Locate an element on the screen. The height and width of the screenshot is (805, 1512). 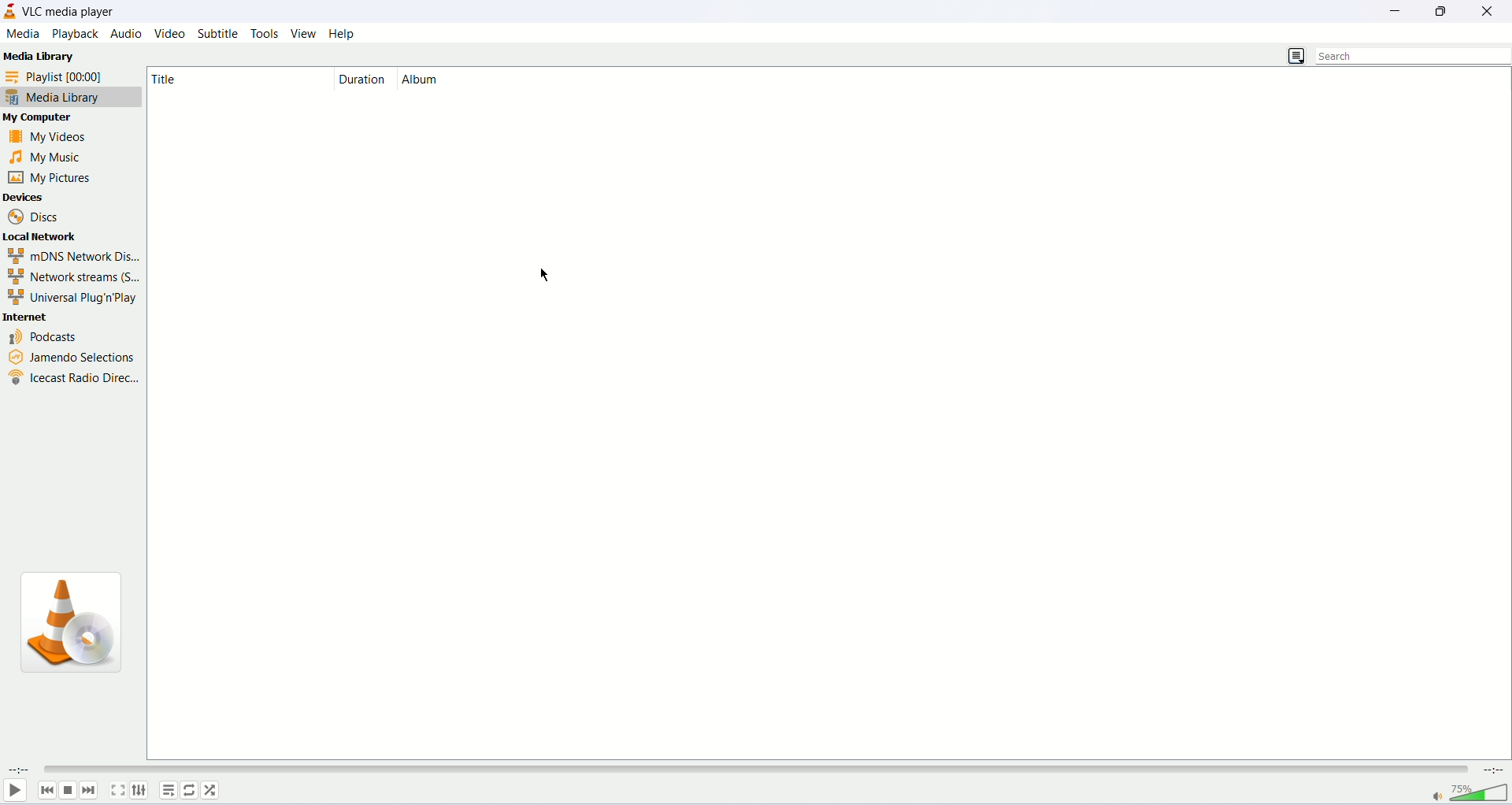
minimize is located at coordinates (1397, 14).